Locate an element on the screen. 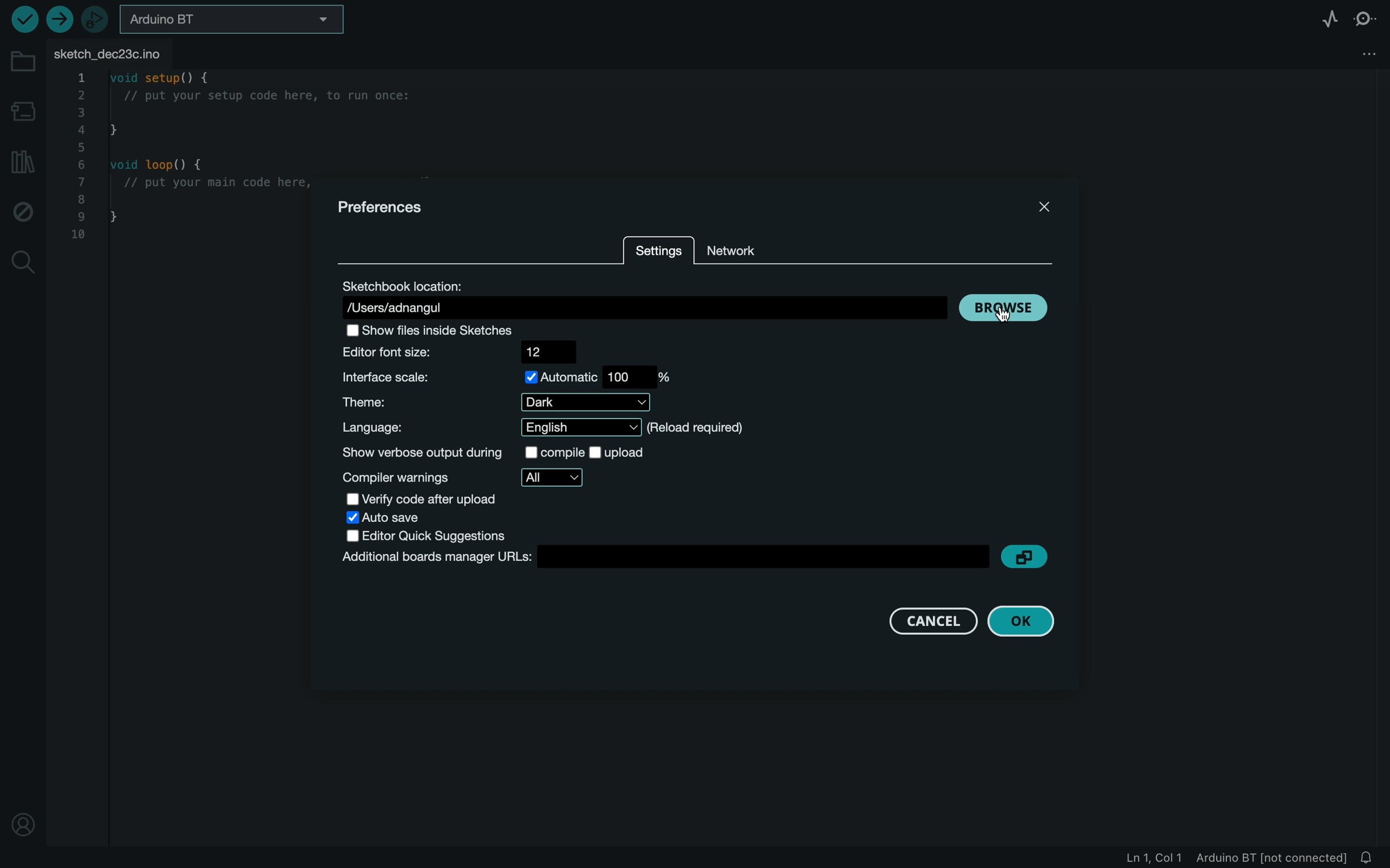 This screenshot has width=1390, height=868. ok is located at coordinates (1020, 621).